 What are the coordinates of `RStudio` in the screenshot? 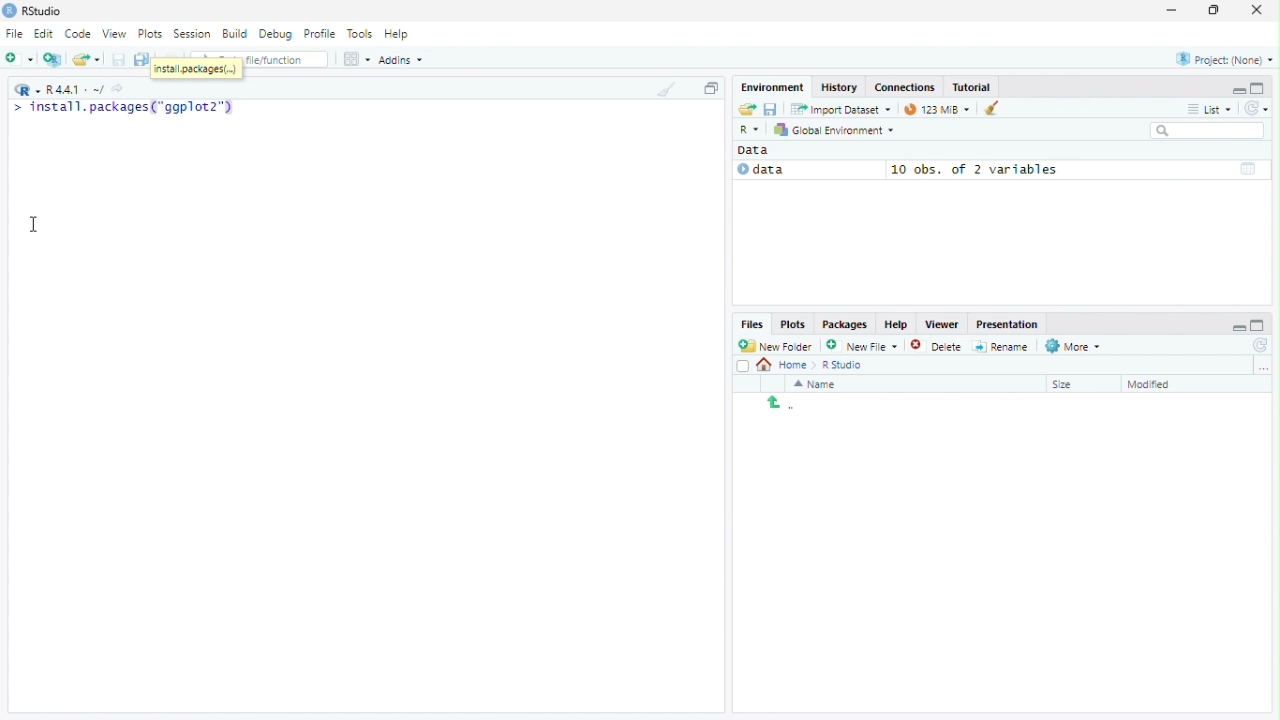 It's located at (44, 9).